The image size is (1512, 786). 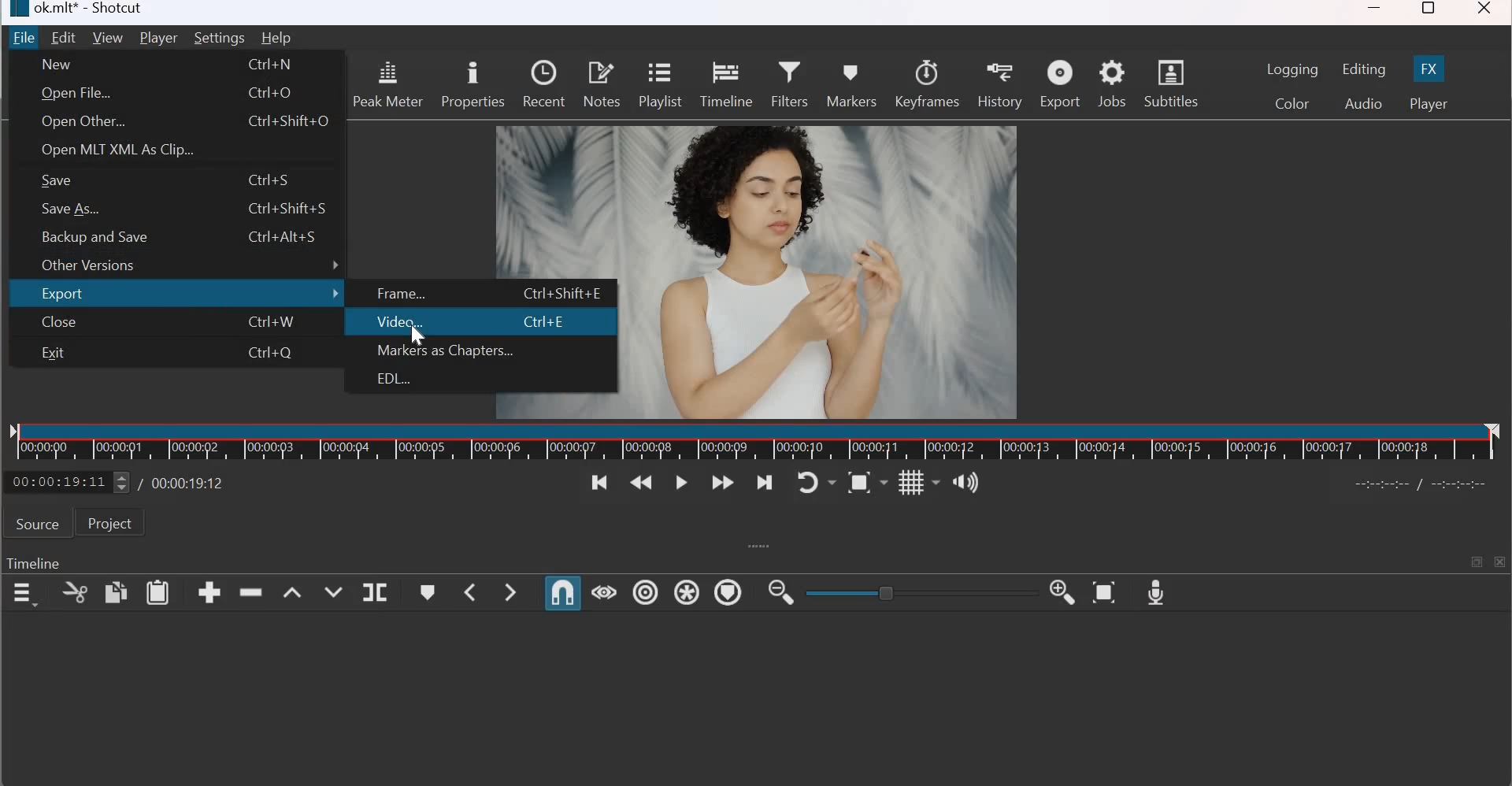 What do you see at coordinates (601, 83) in the screenshot?
I see `Notes` at bounding box center [601, 83].